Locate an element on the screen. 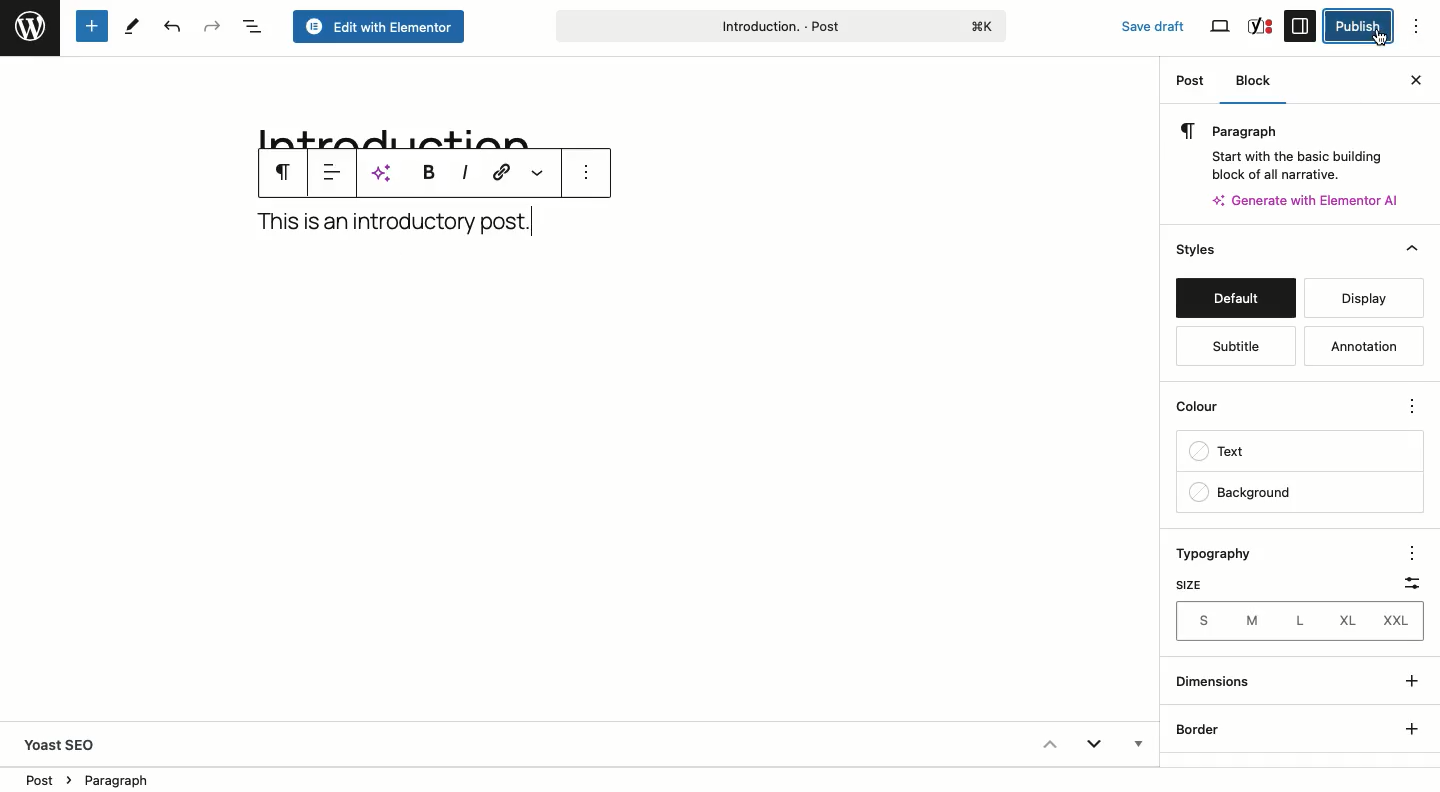  Text is located at coordinates (1225, 454).